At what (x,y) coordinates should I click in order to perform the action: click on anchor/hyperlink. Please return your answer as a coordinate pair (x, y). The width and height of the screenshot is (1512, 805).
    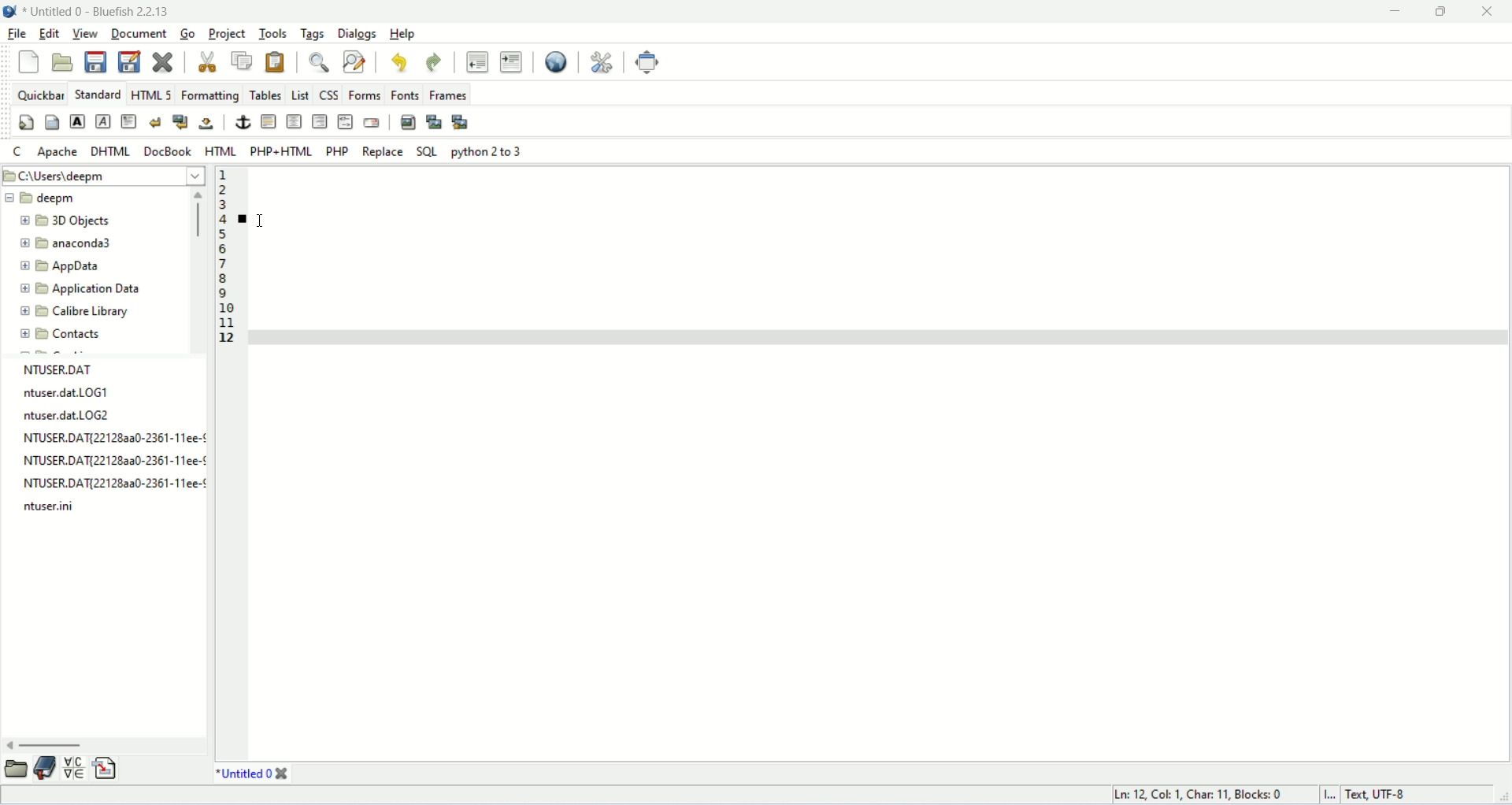
    Looking at the image, I should click on (241, 121).